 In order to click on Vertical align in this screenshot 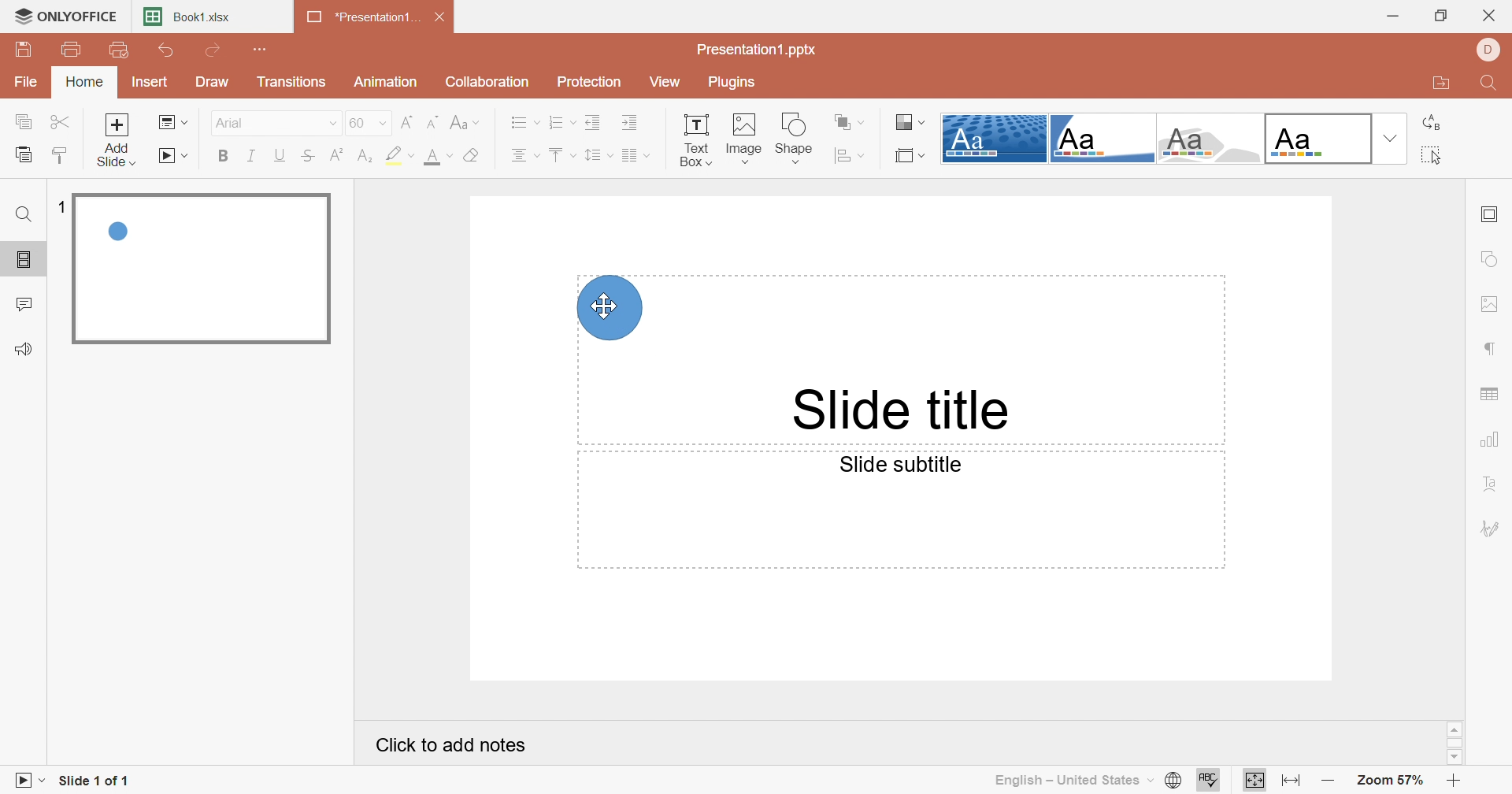, I will do `click(561, 155)`.